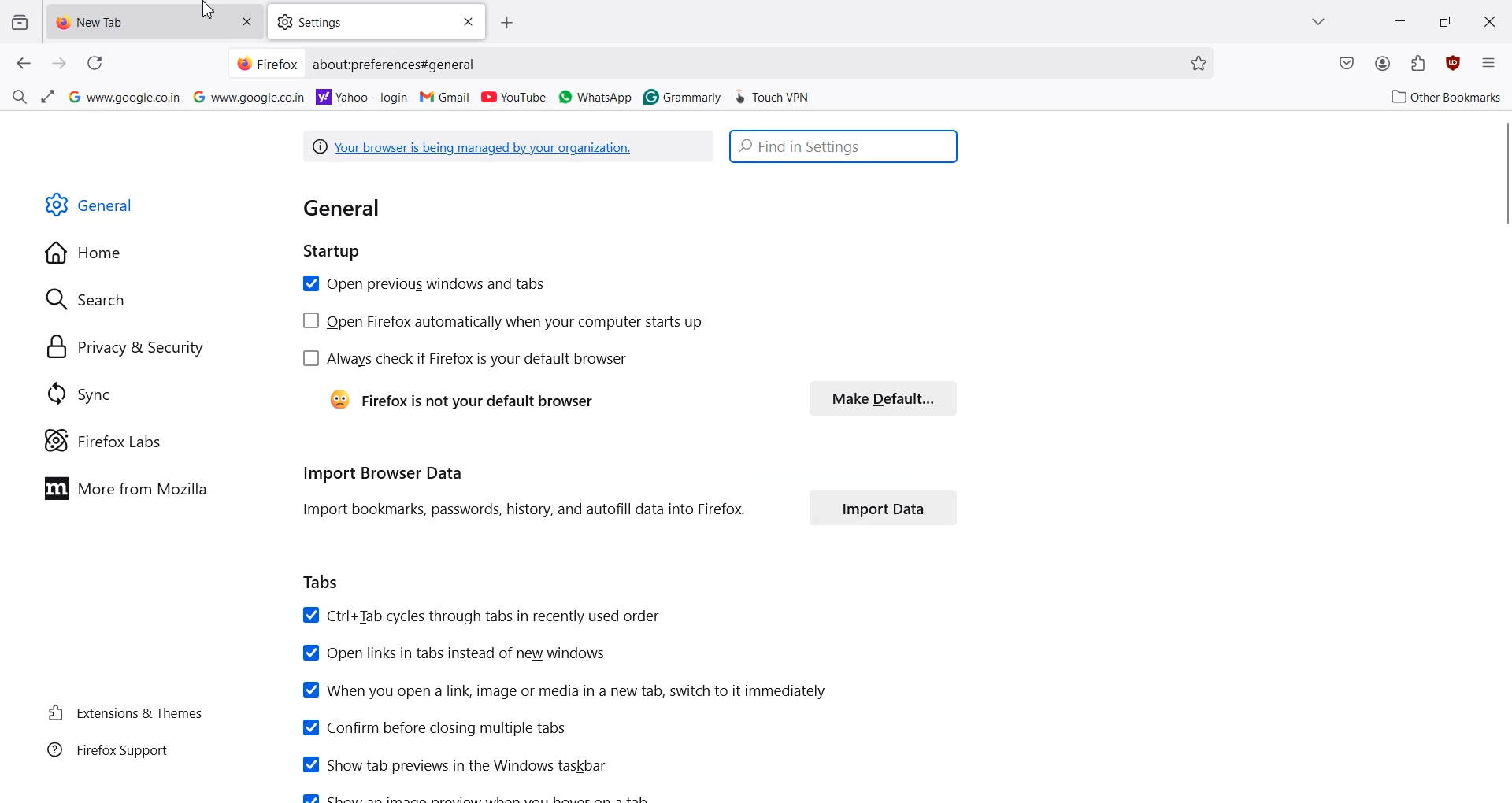  Describe the element at coordinates (884, 398) in the screenshot. I see `Make Default` at that location.